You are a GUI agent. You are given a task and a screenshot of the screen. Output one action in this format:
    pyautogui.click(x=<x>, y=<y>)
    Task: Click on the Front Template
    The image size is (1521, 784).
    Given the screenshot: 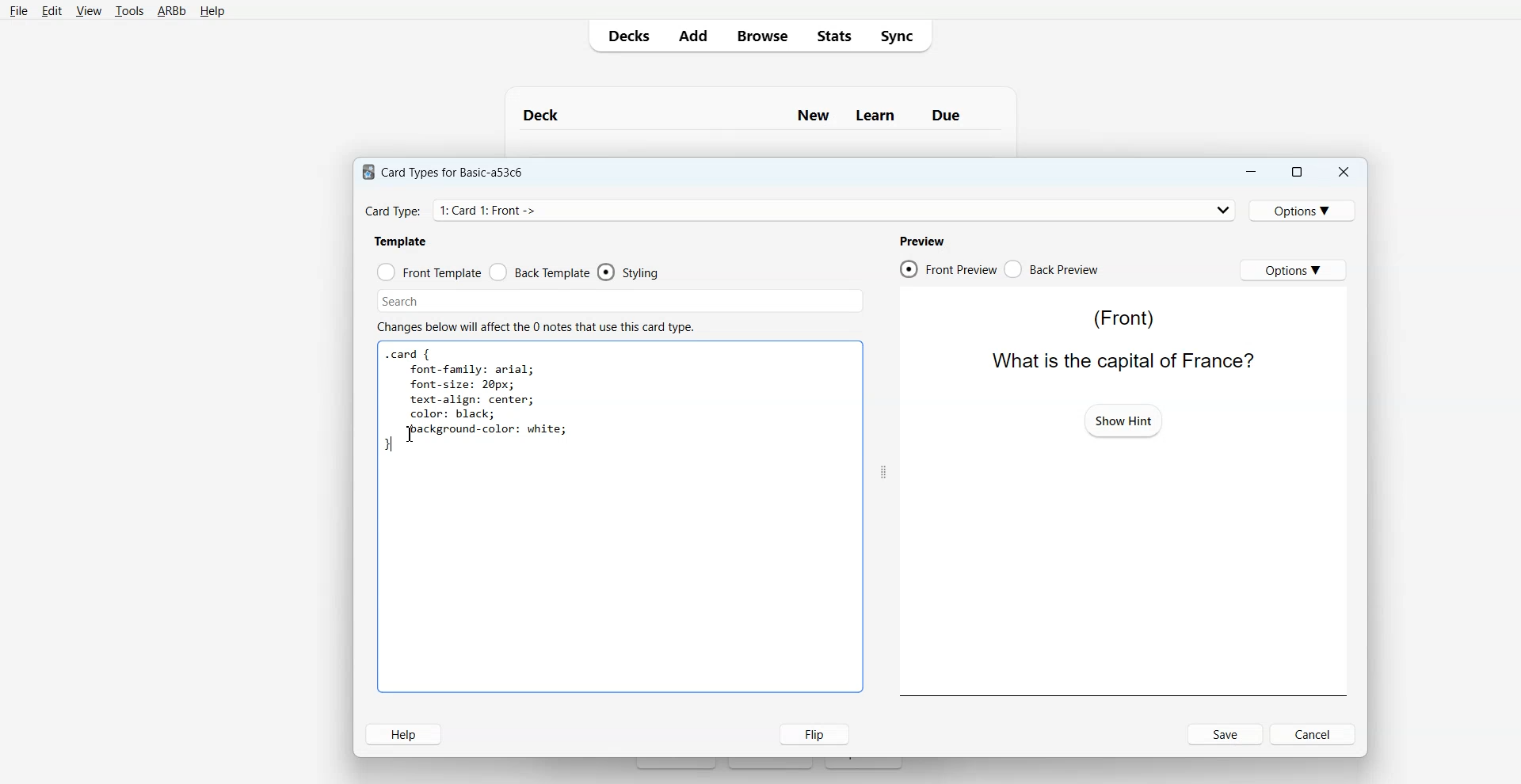 What is the action you would take?
    pyautogui.click(x=429, y=272)
    